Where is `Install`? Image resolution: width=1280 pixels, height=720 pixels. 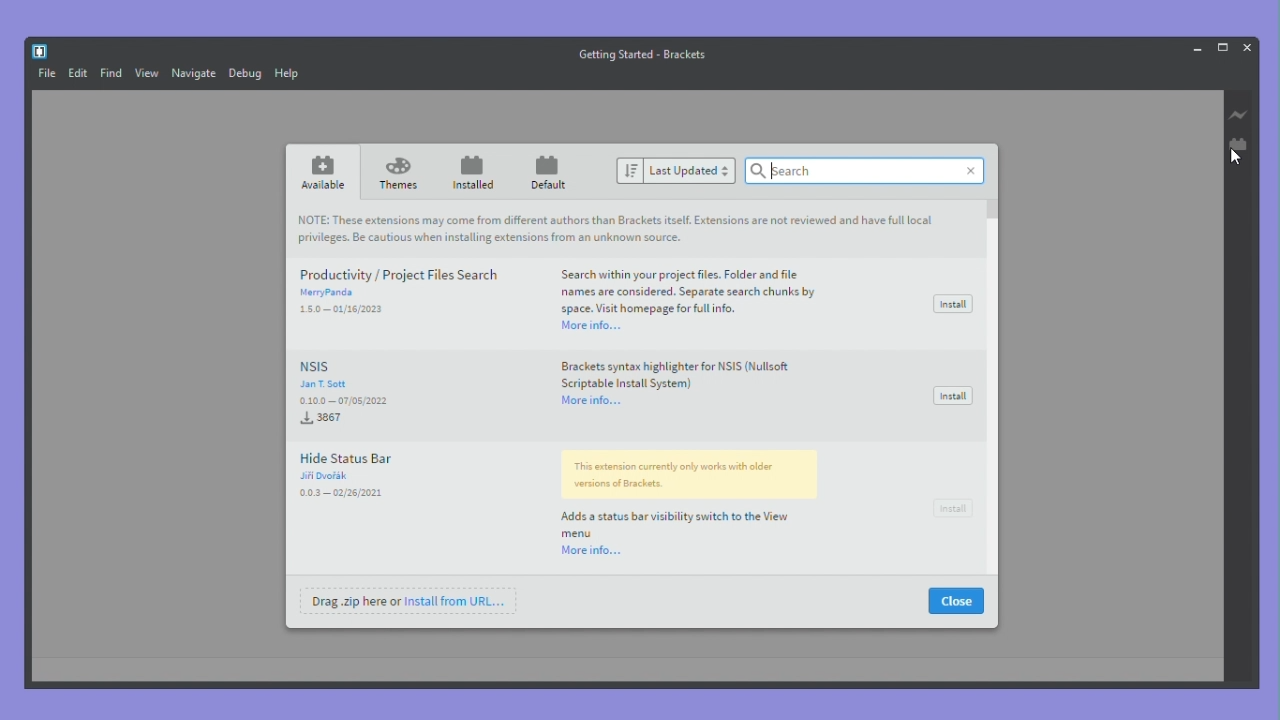 Install is located at coordinates (953, 304).